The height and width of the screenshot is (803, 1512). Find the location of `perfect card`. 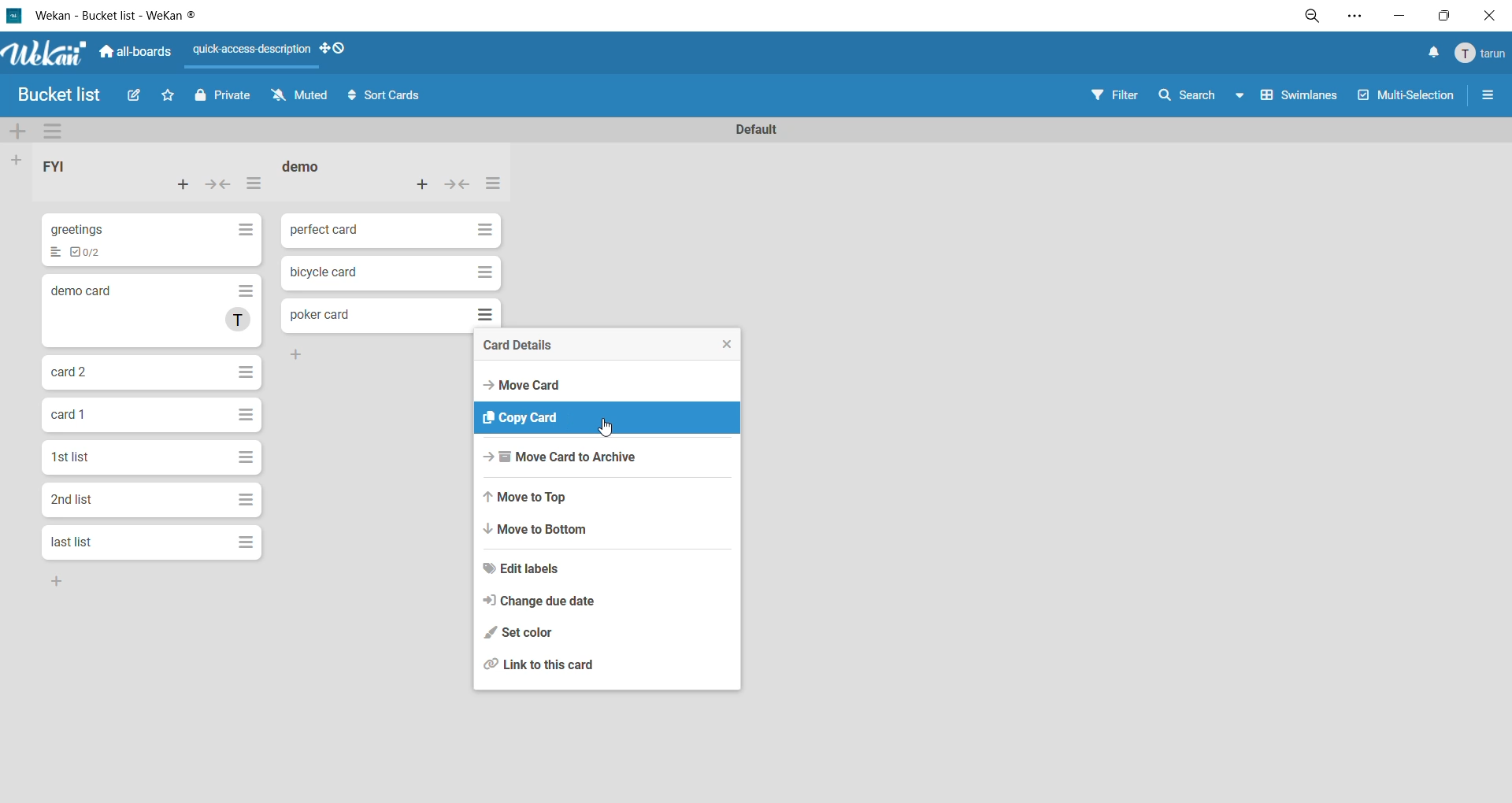

perfect card is located at coordinates (327, 230).